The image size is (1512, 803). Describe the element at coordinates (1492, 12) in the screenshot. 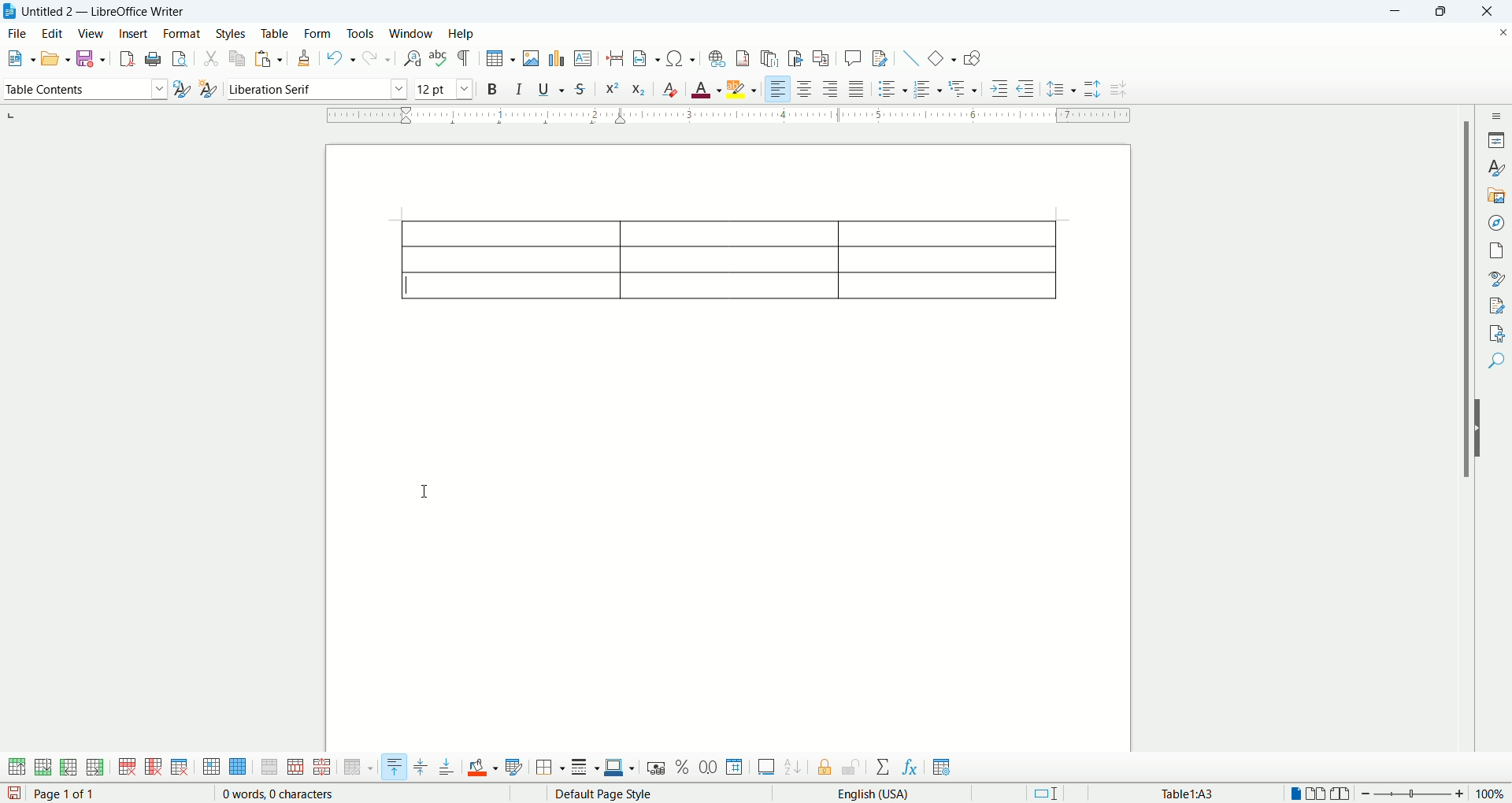

I see `close` at that location.